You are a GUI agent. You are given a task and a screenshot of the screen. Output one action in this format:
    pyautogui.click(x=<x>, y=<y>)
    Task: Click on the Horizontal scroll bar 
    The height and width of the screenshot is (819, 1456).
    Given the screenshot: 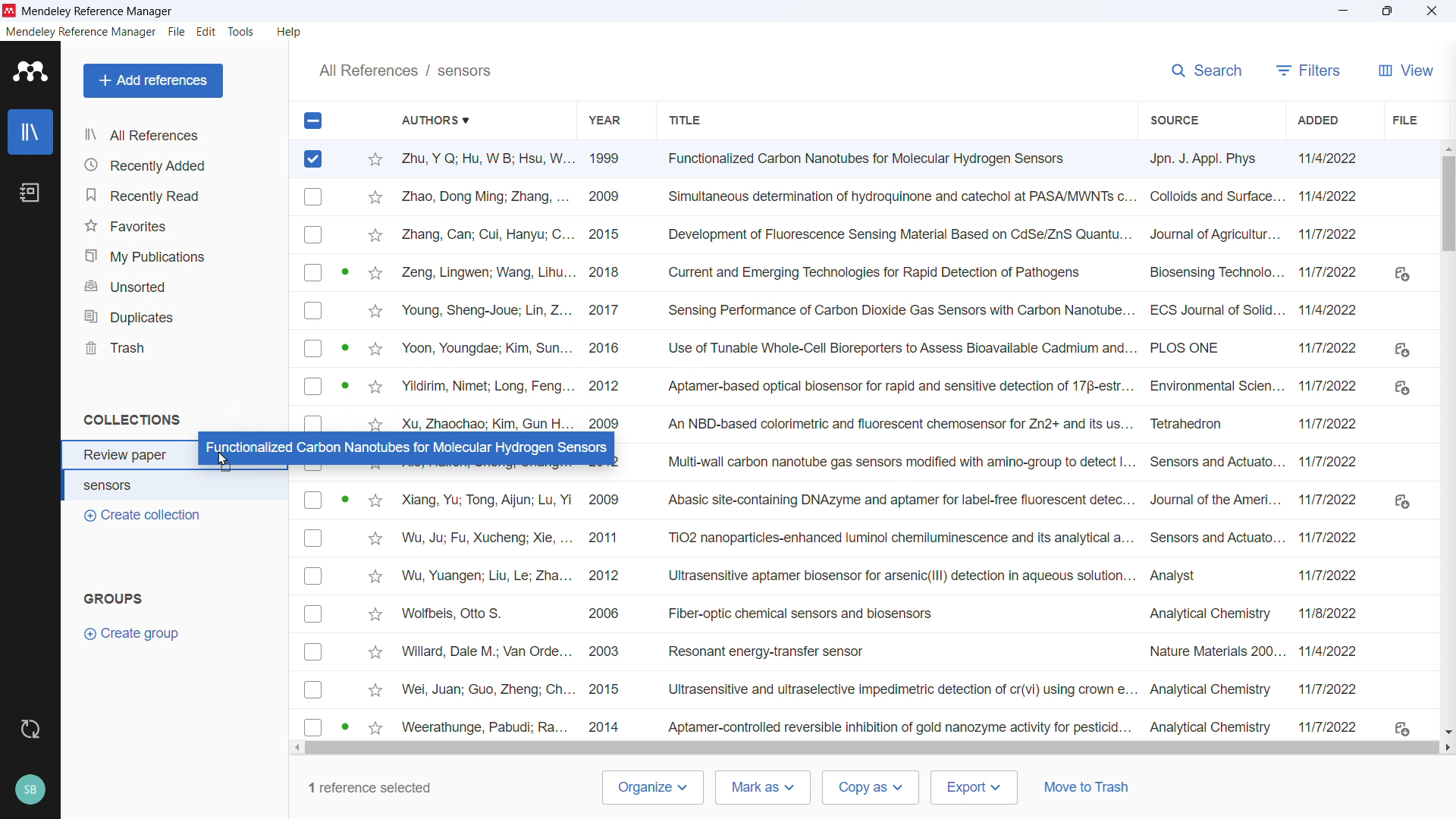 What is the action you would take?
    pyautogui.click(x=875, y=748)
    